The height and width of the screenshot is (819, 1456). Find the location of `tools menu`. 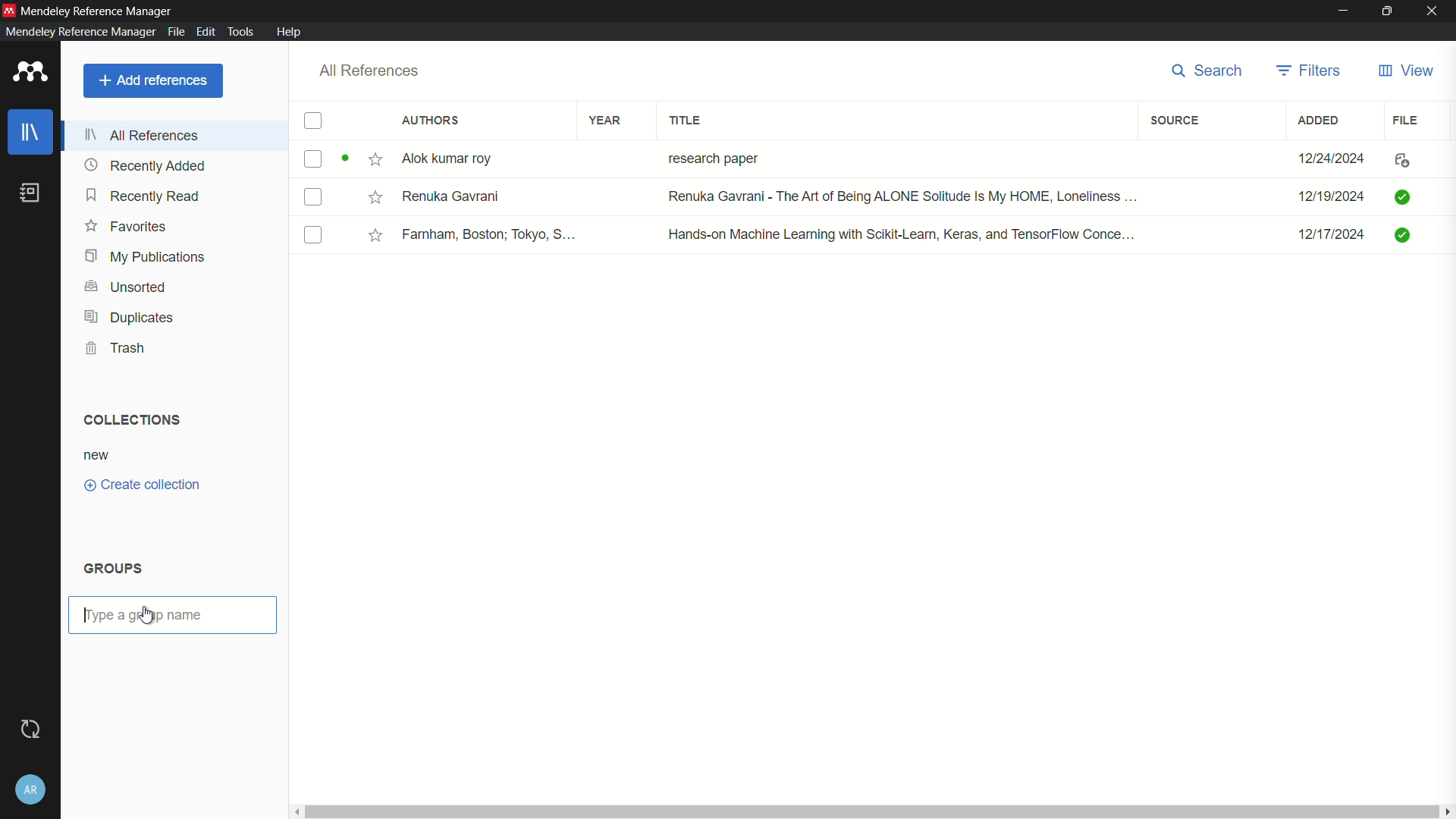

tools menu is located at coordinates (240, 31).